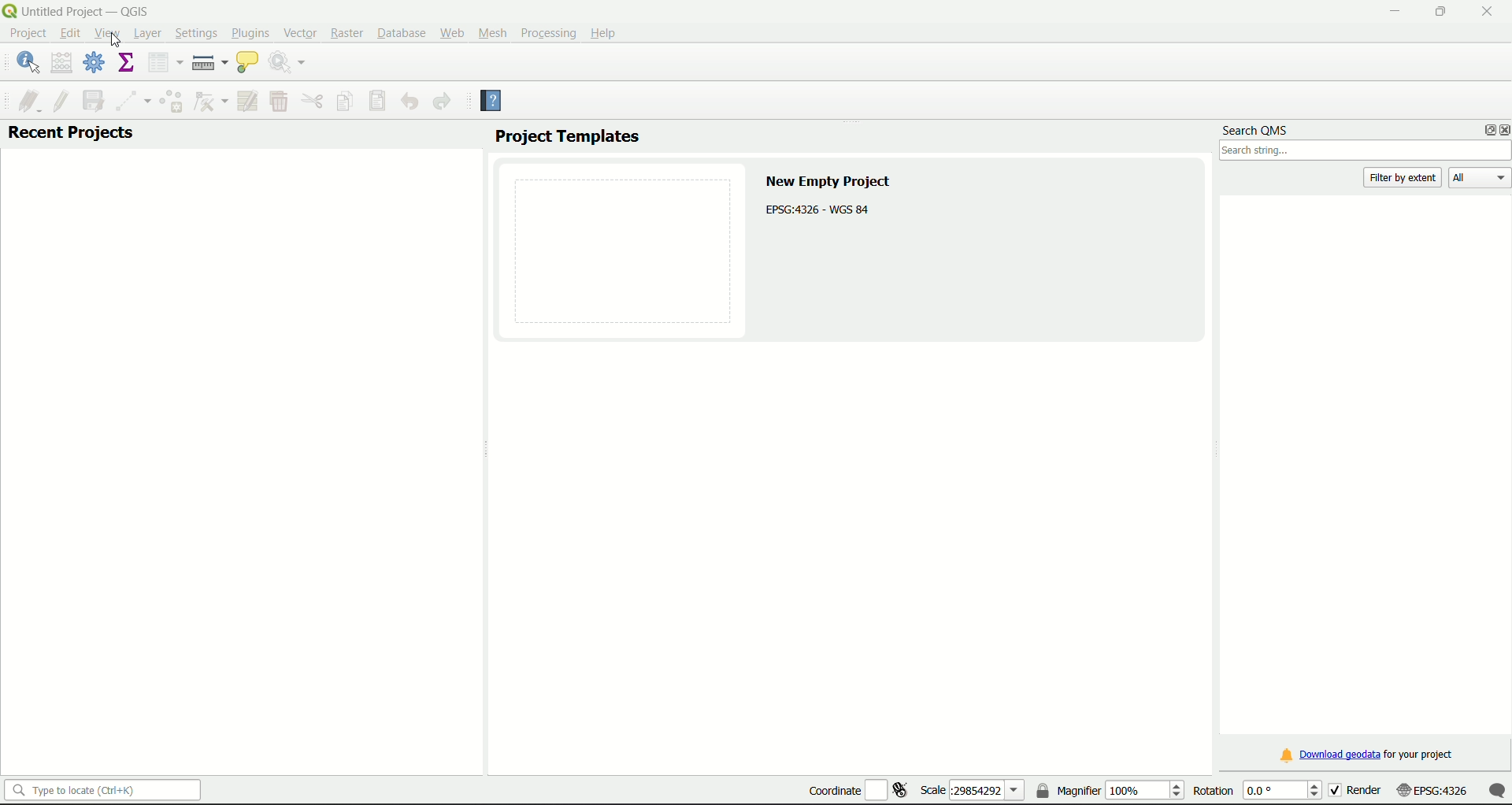 The width and height of the screenshot is (1512, 805). Describe the element at coordinates (1366, 151) in the screenshot. I see `search box` at that location.